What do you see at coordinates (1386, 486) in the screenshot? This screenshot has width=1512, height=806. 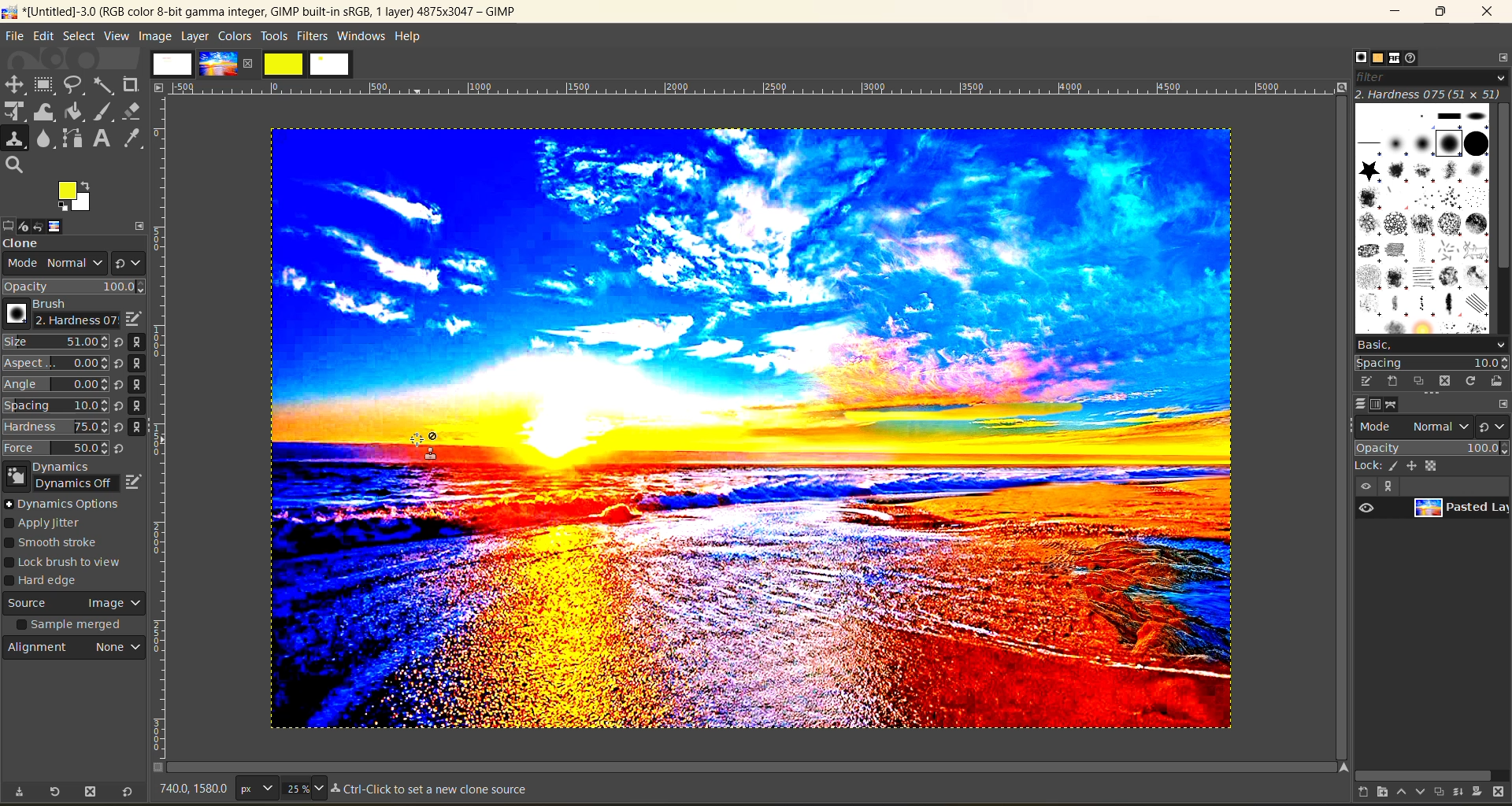 I see `expand` at bounding box center [1386, 486].